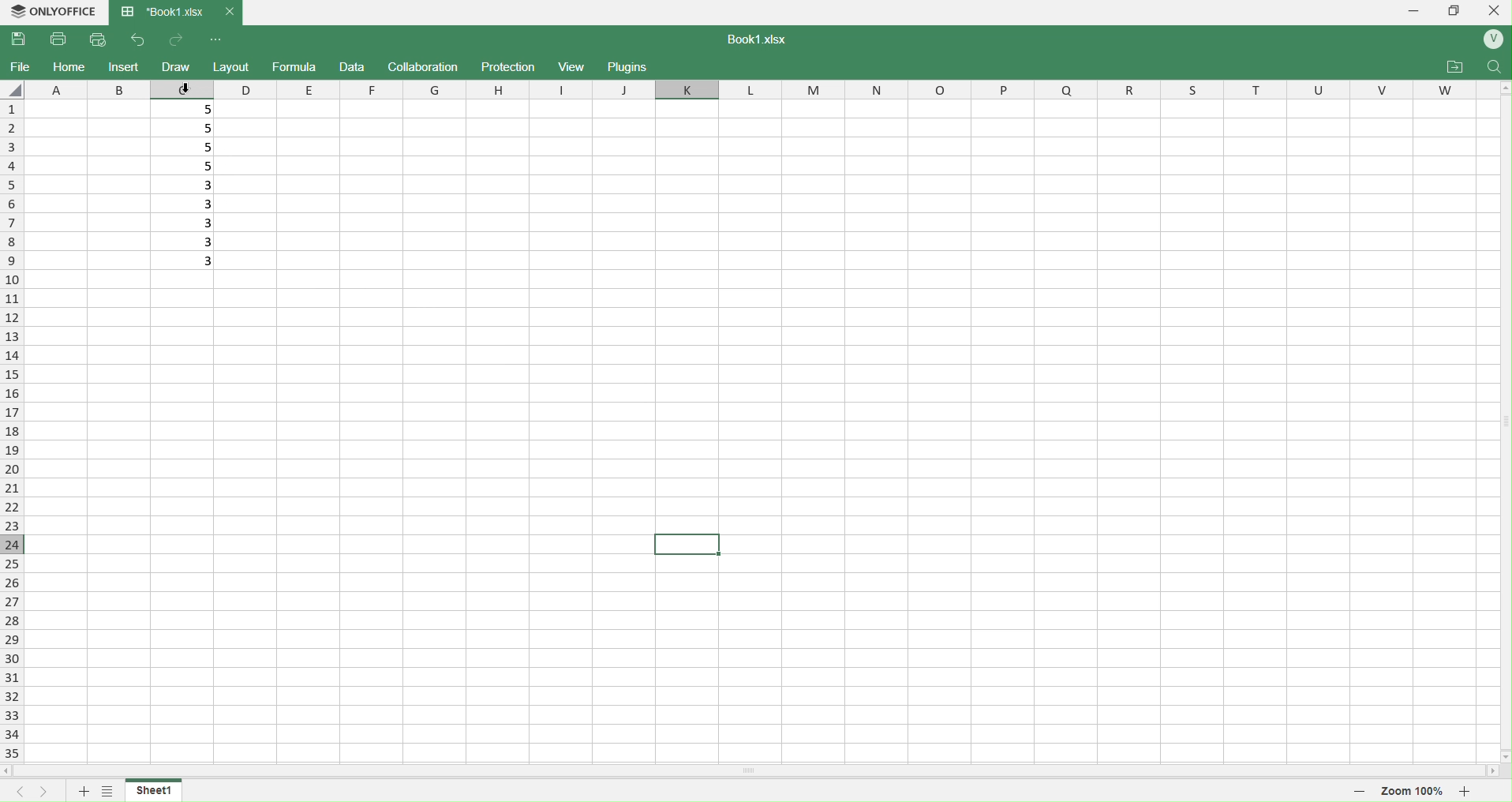 The height and width of the screenshot is (802, 1512). I want to click on User, so click(1491, 40).